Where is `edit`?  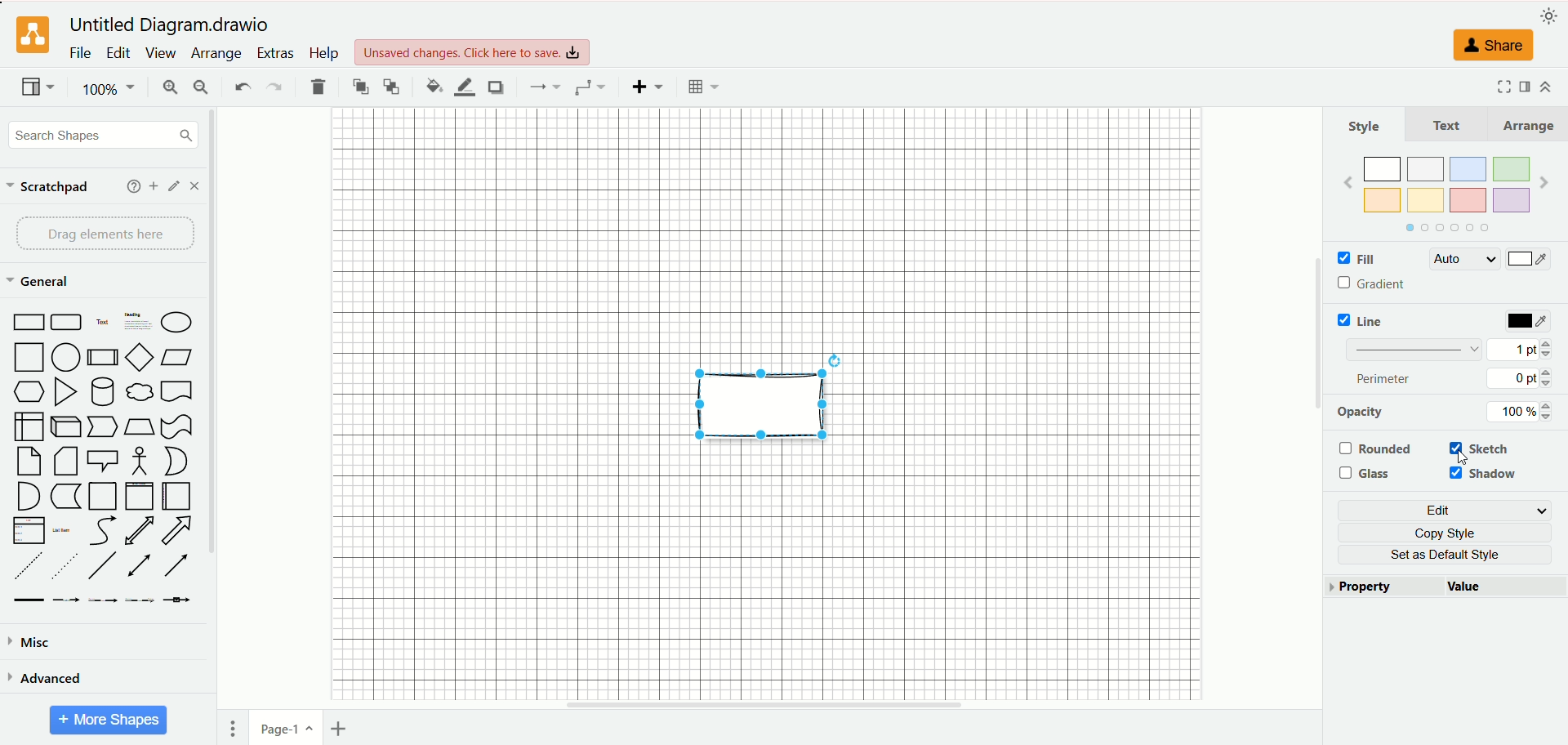 edit is located at coordinates (1448, 511).